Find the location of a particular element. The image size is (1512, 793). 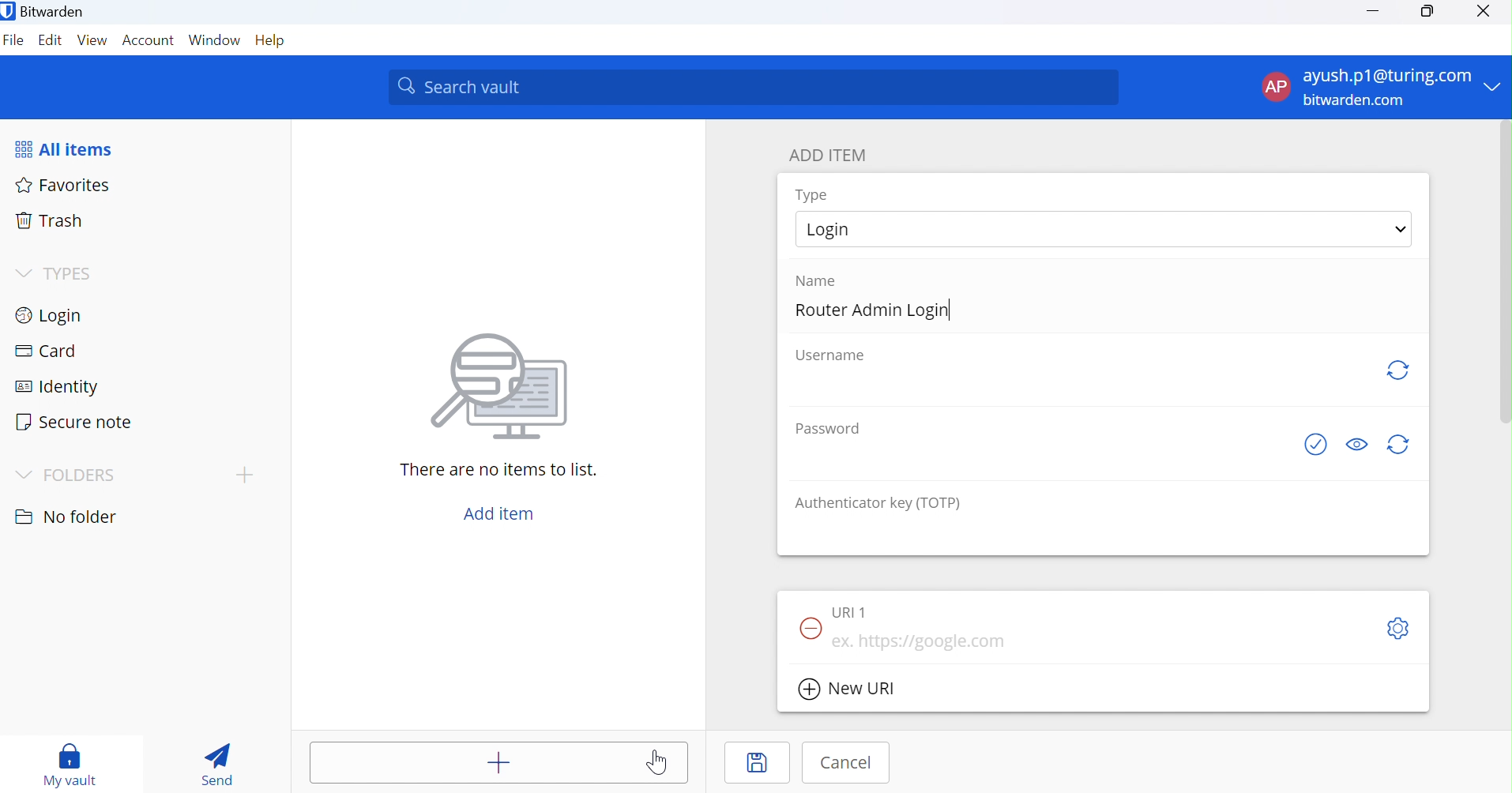

Remove is located at coordinates (810, 630).